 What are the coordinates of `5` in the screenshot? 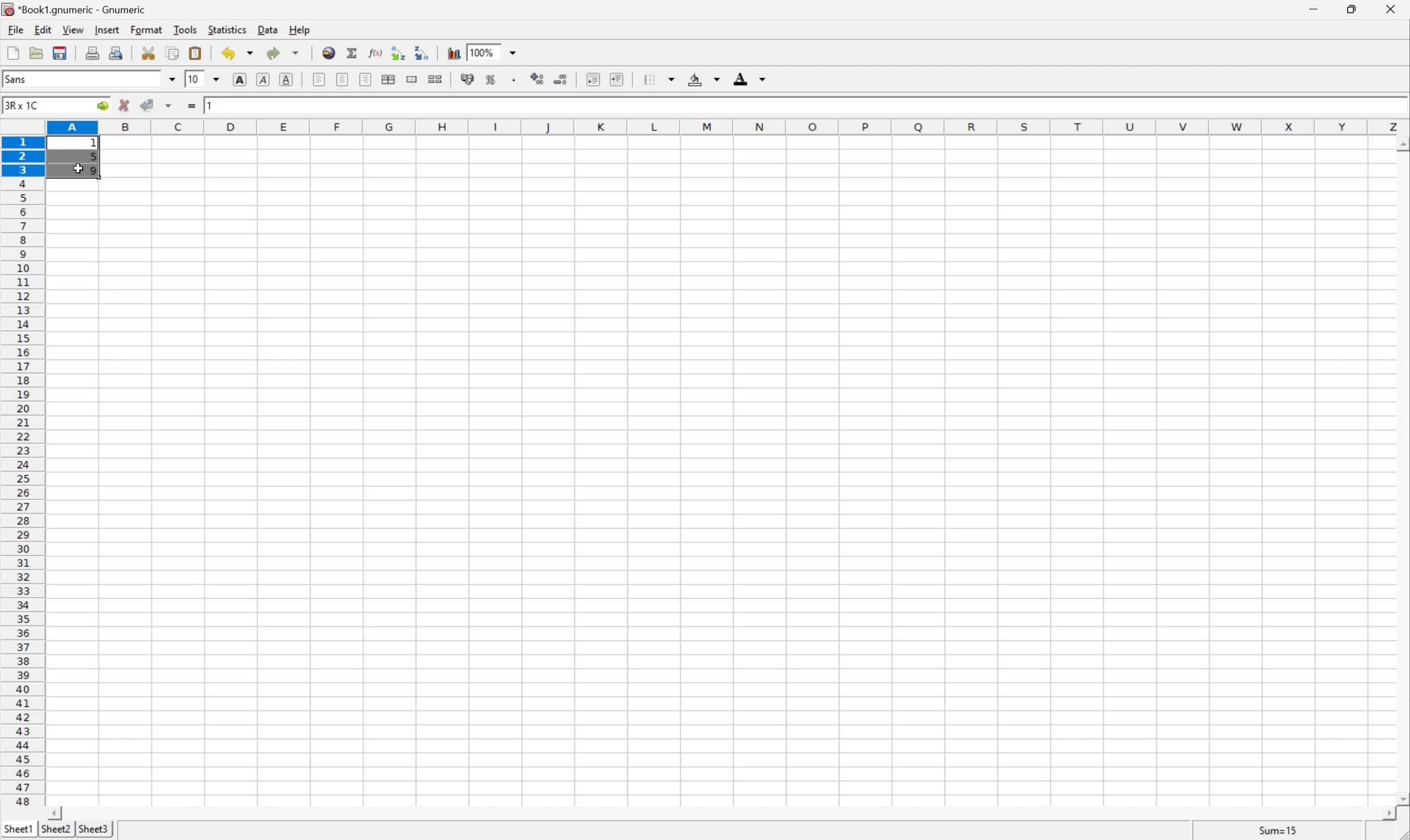 It's located at (93, 158).